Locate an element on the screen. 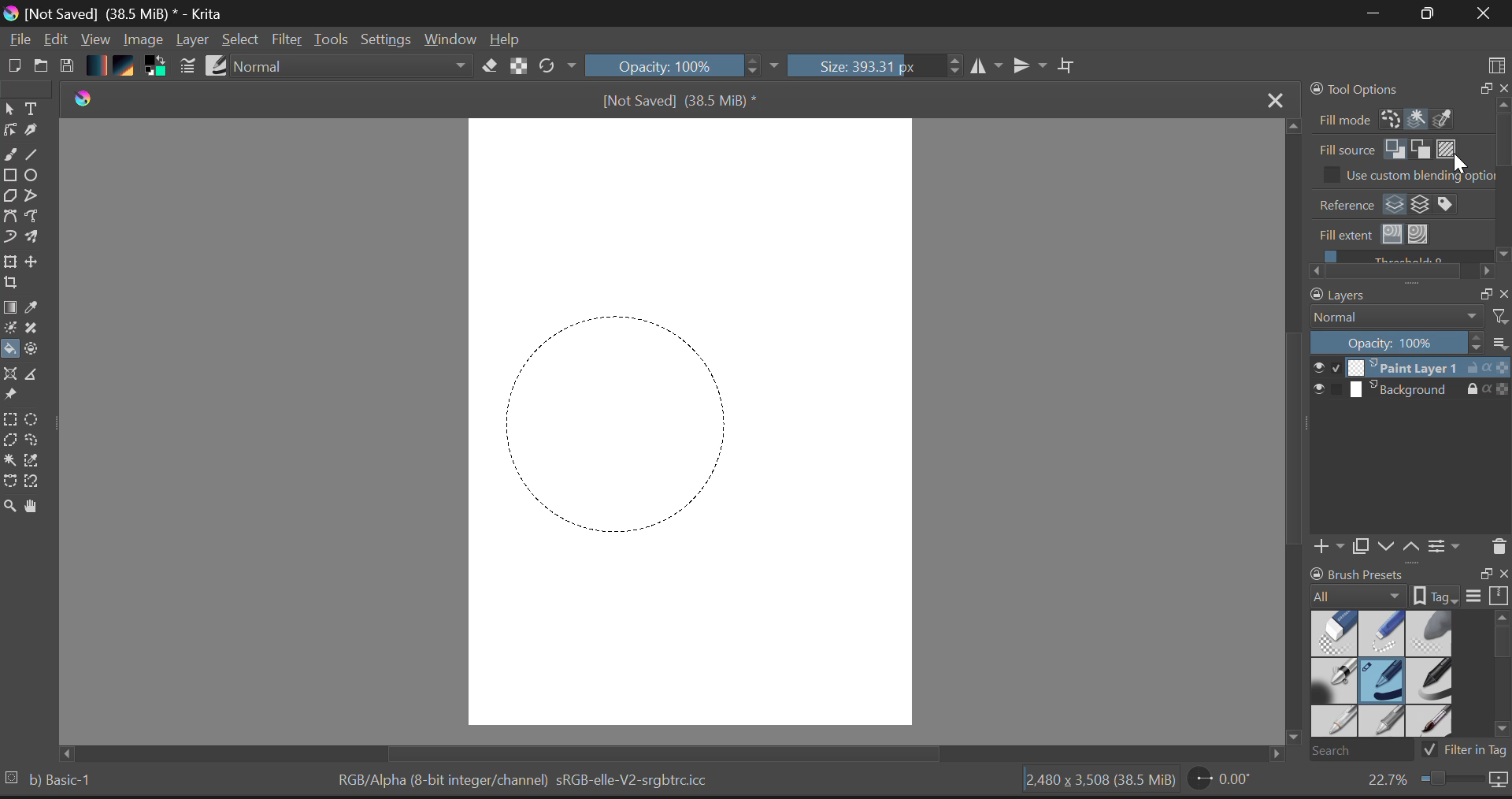  Help is located at coordinates (506, 39).